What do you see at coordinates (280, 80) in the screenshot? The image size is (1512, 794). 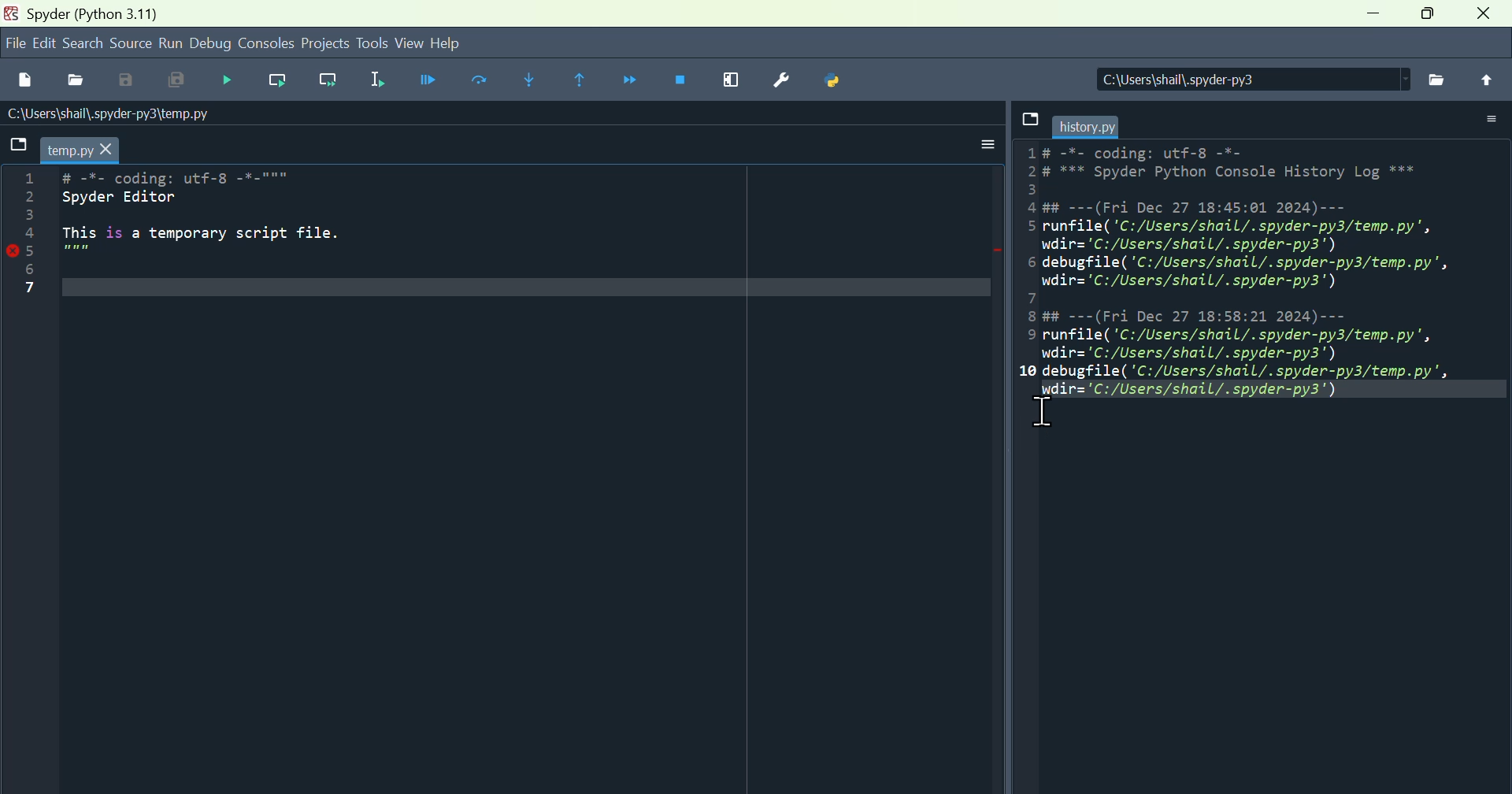 I see `Run current line` at bounding box center [280, 80].